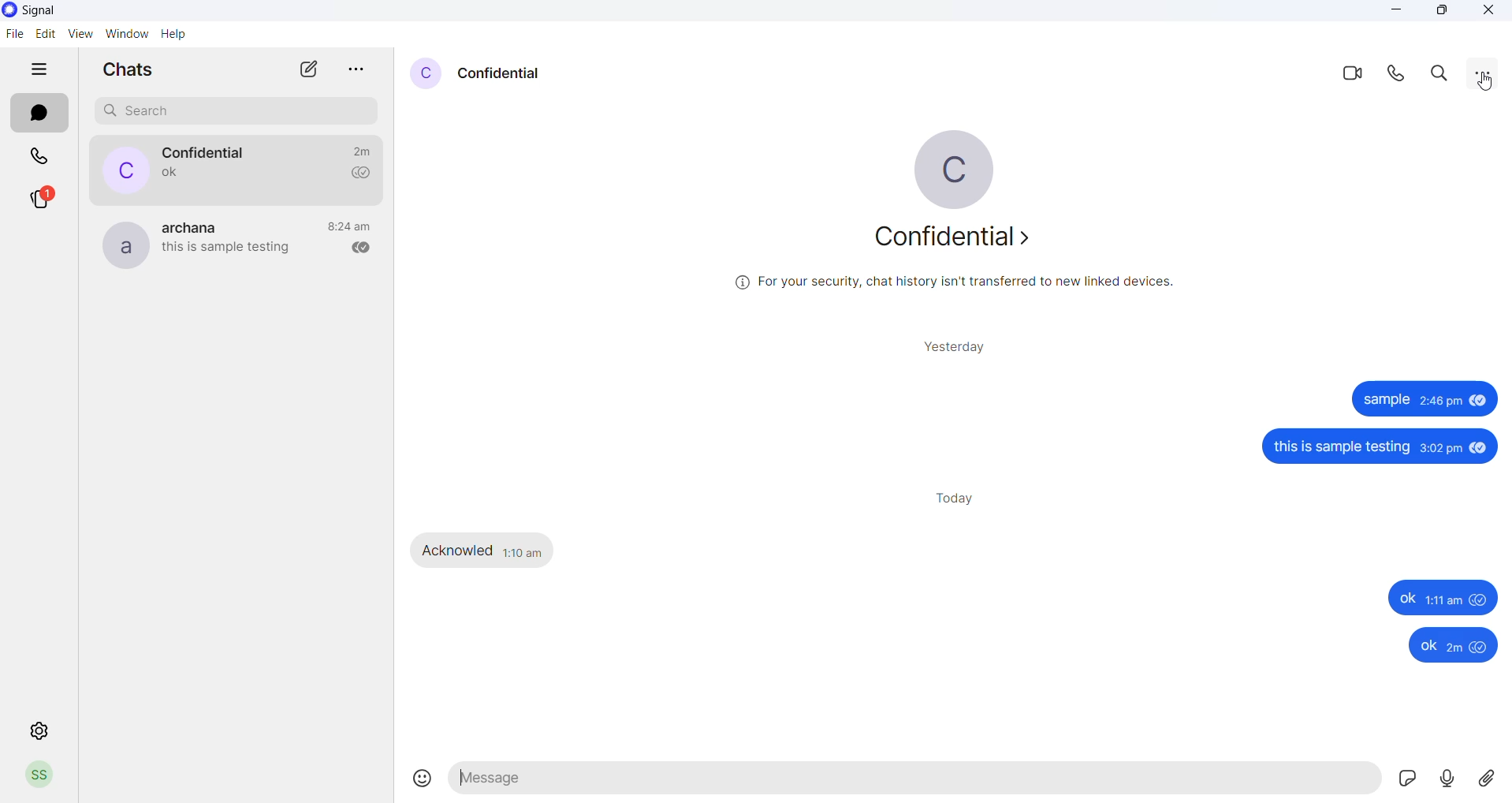  I want to click on contact name, so click(206, 152).